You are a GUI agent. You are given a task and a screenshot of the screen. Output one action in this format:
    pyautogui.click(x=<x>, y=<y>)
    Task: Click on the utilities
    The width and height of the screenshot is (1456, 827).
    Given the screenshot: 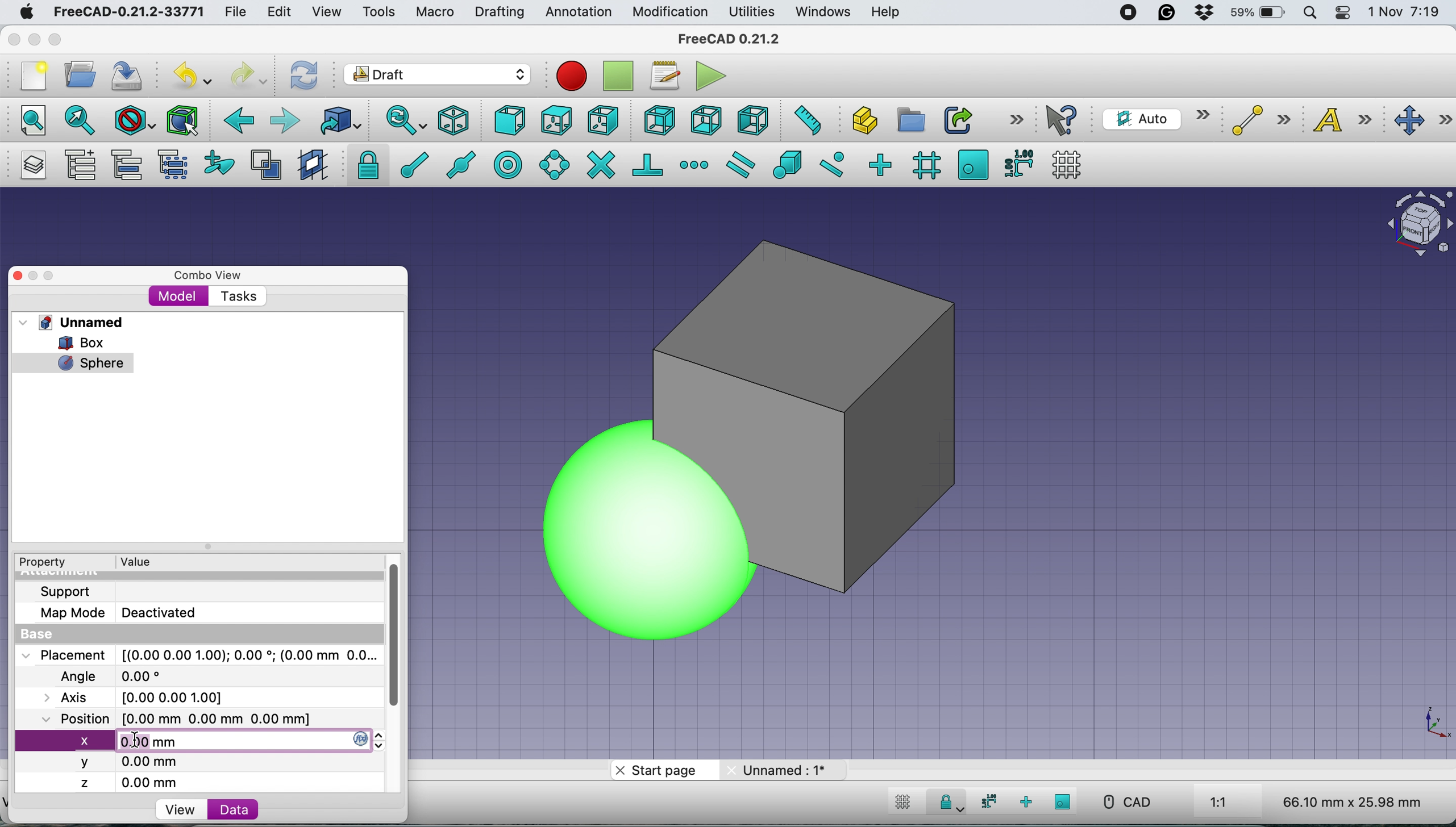 What is the action you would take?
    pyautogui.click(x=753, y=12)
    